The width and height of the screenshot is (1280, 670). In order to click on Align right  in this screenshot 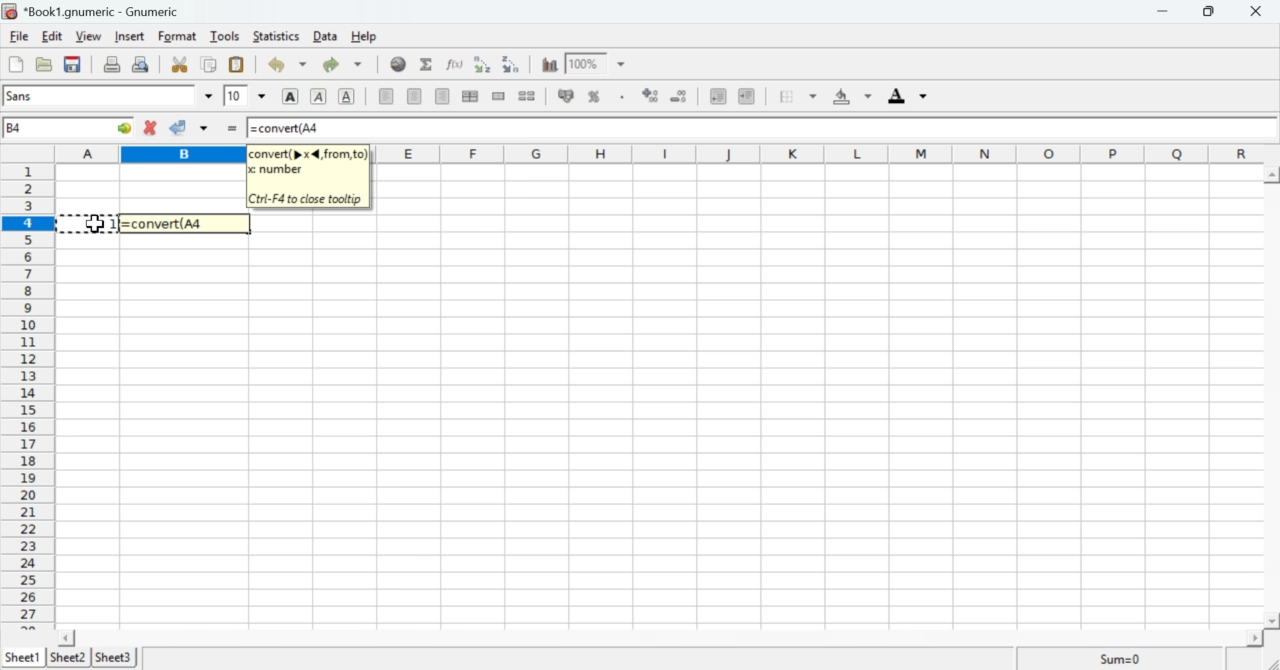, I will do `click(442, 97)`.